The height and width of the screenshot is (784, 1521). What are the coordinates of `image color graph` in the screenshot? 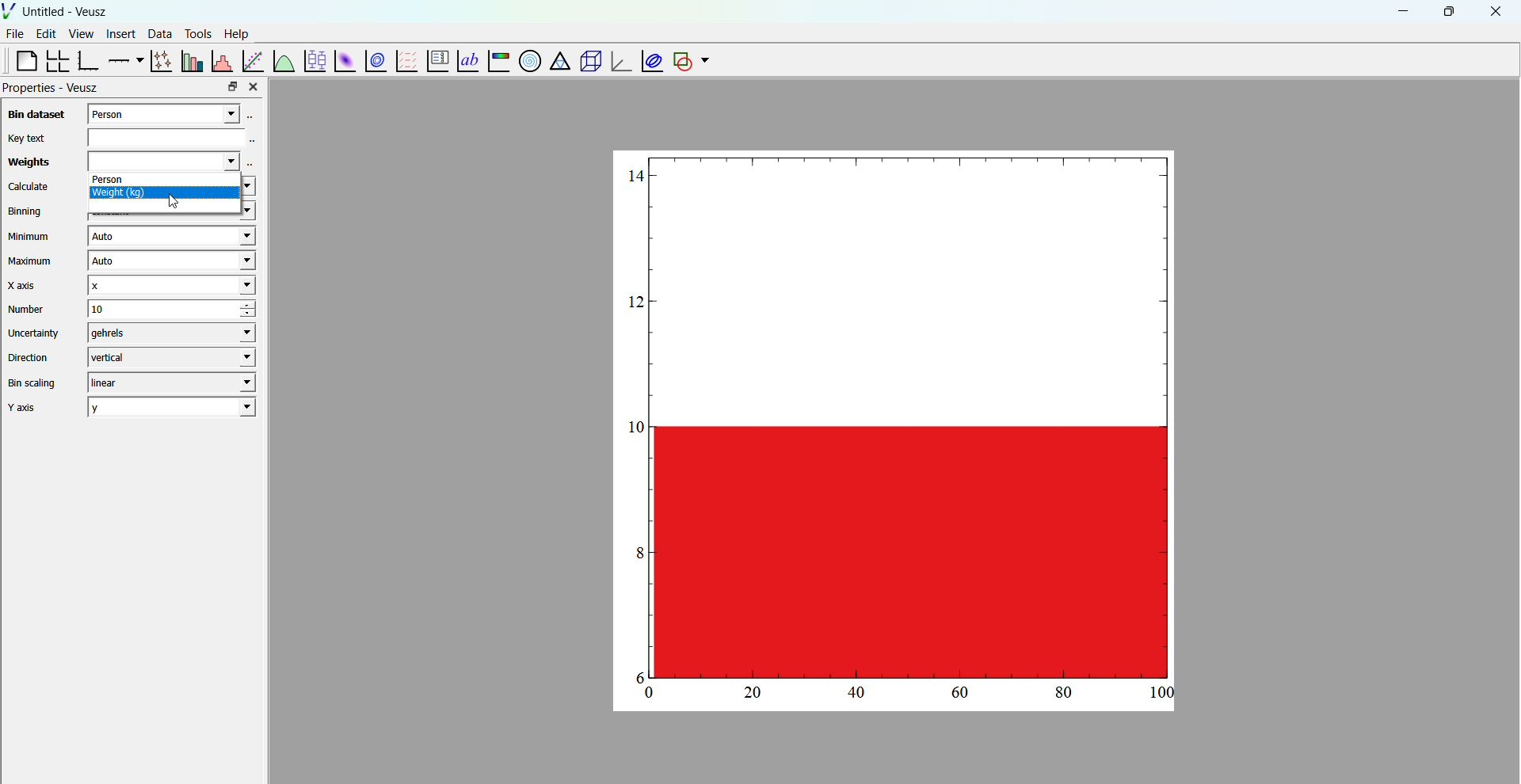 It's located at (497, 63).